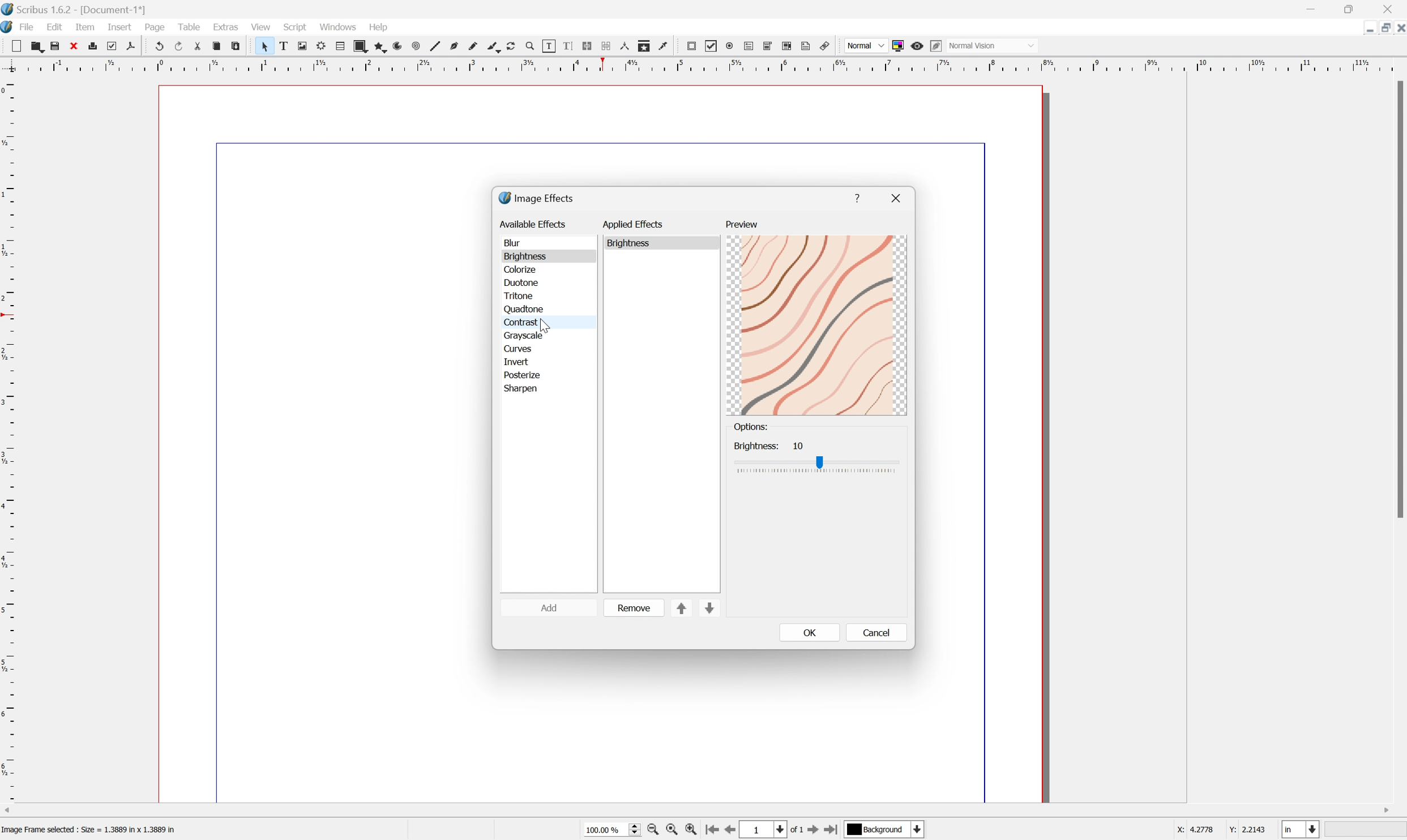  I want to click on invert, so click(520, 360).